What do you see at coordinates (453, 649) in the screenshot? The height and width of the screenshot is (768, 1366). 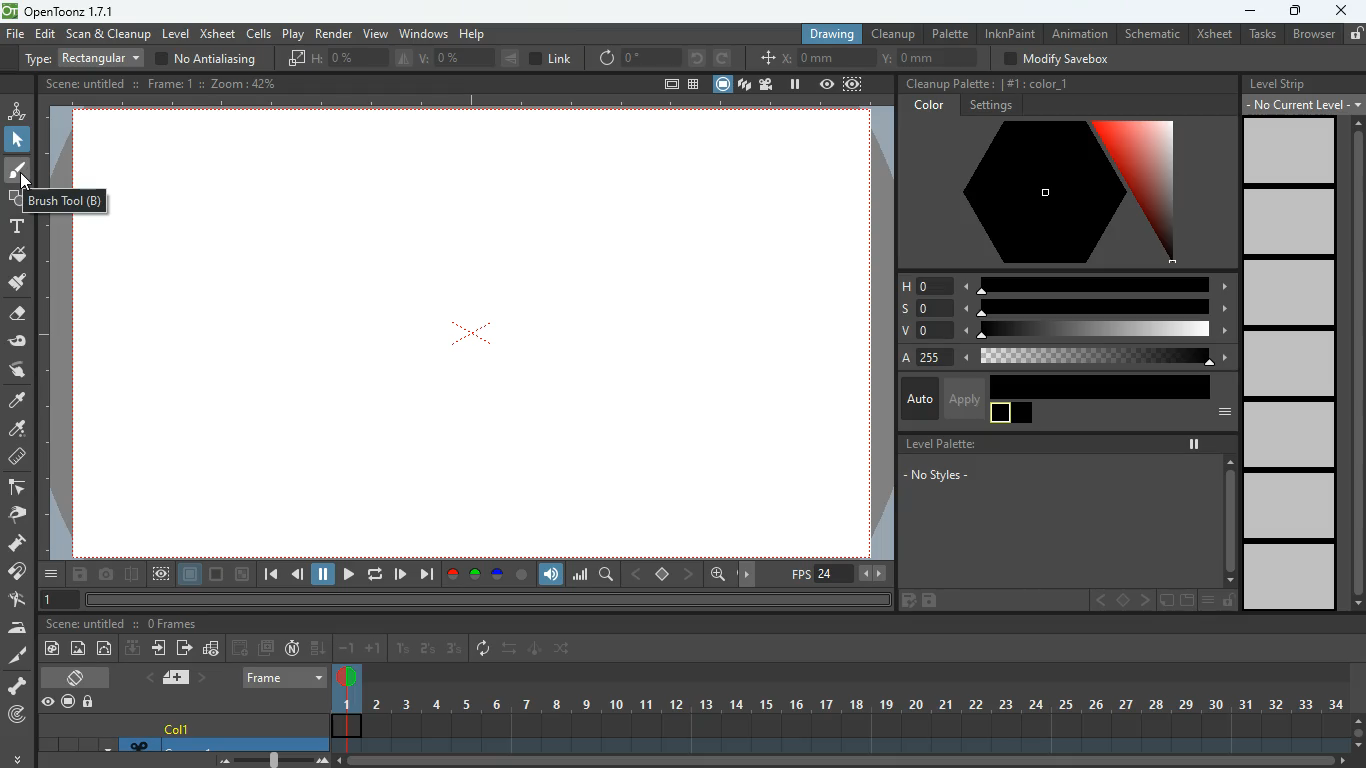 I see `3` at bounding box center [453, 649].